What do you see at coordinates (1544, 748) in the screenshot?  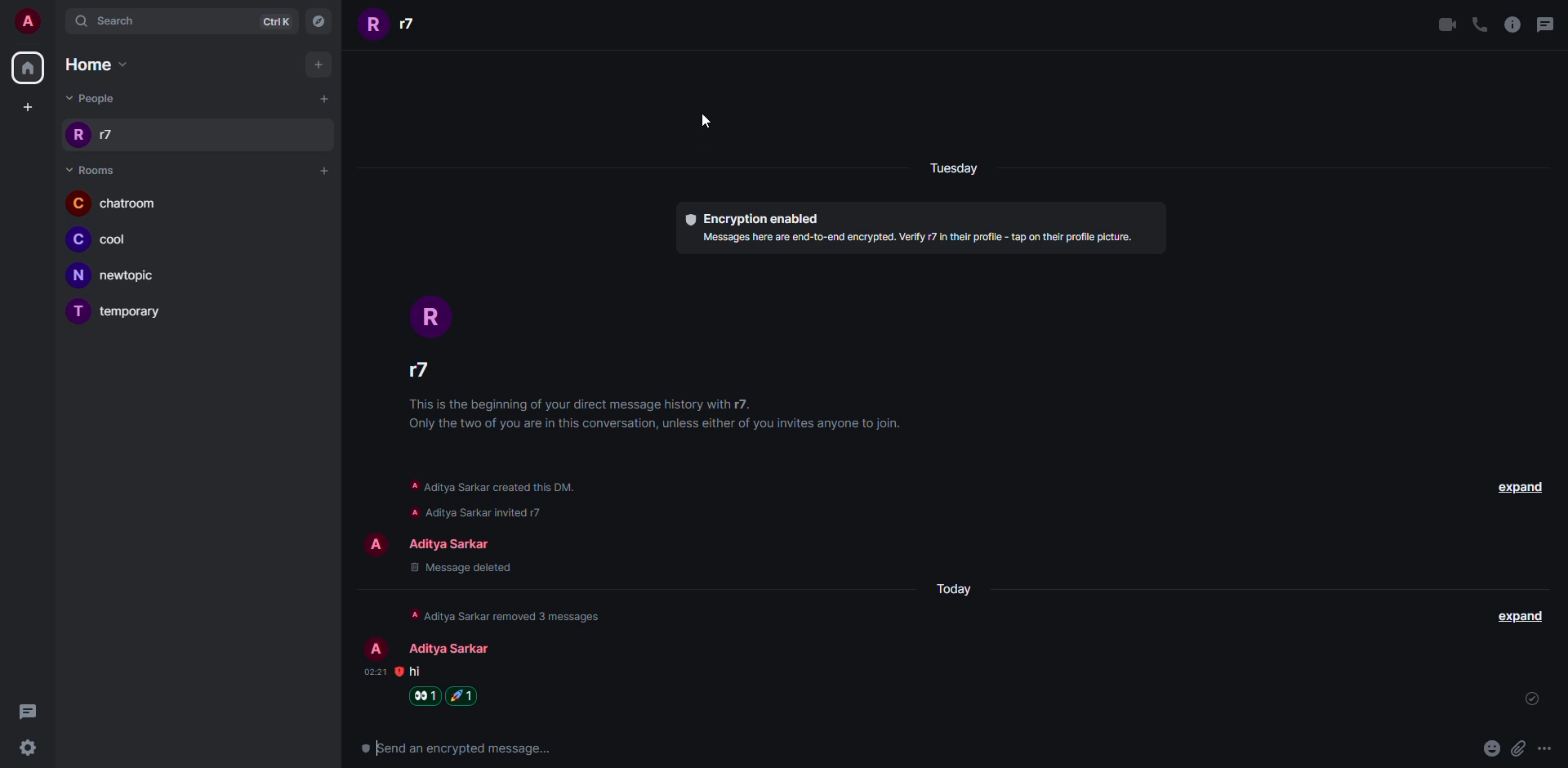 I see `more` at bounding box center [1544, 748].